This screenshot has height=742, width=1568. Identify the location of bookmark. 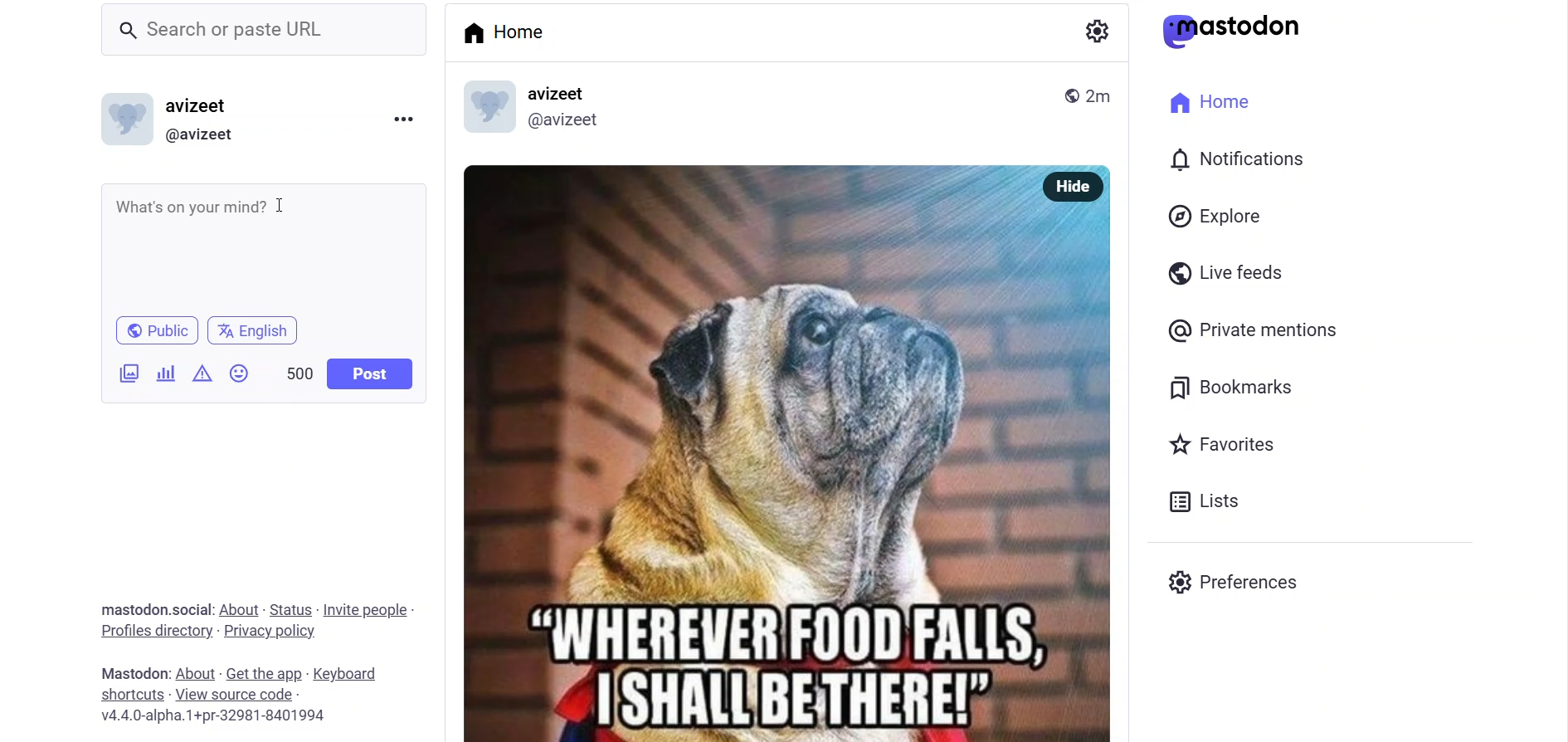
(1220, 387).